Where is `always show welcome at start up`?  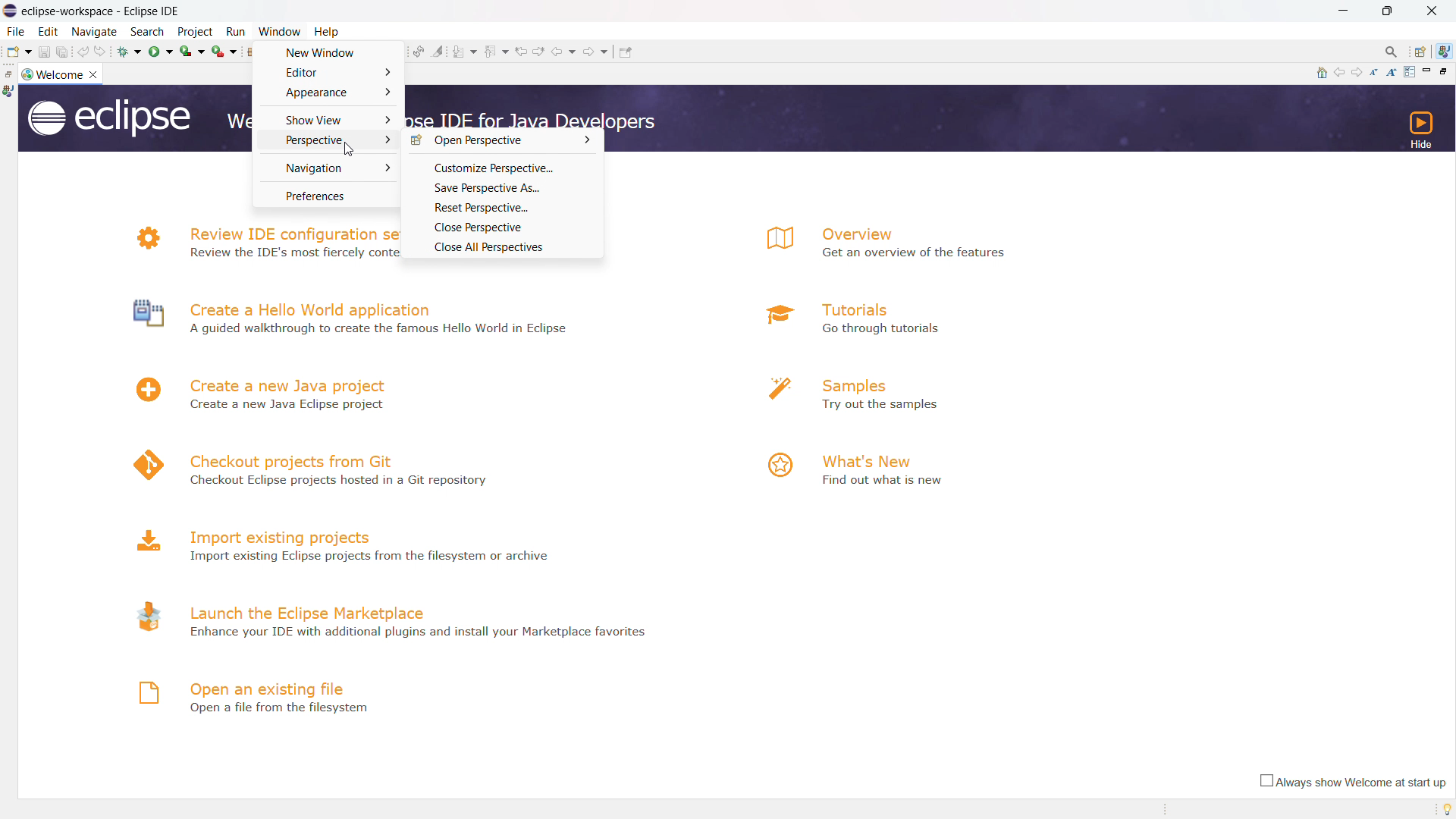 always show welcome at start up is located at coordinates (1350, 782).